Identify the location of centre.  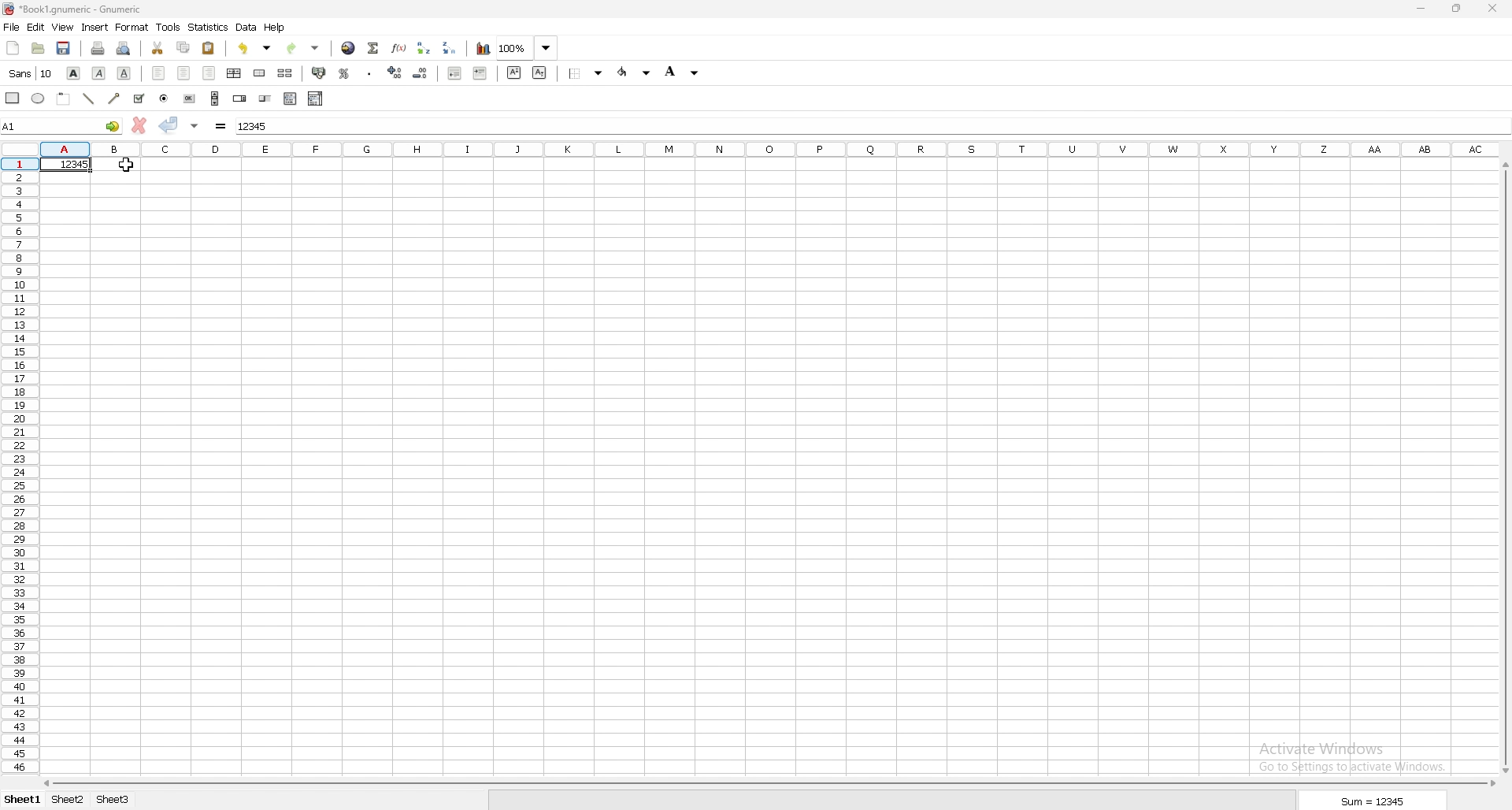
(186, 73).